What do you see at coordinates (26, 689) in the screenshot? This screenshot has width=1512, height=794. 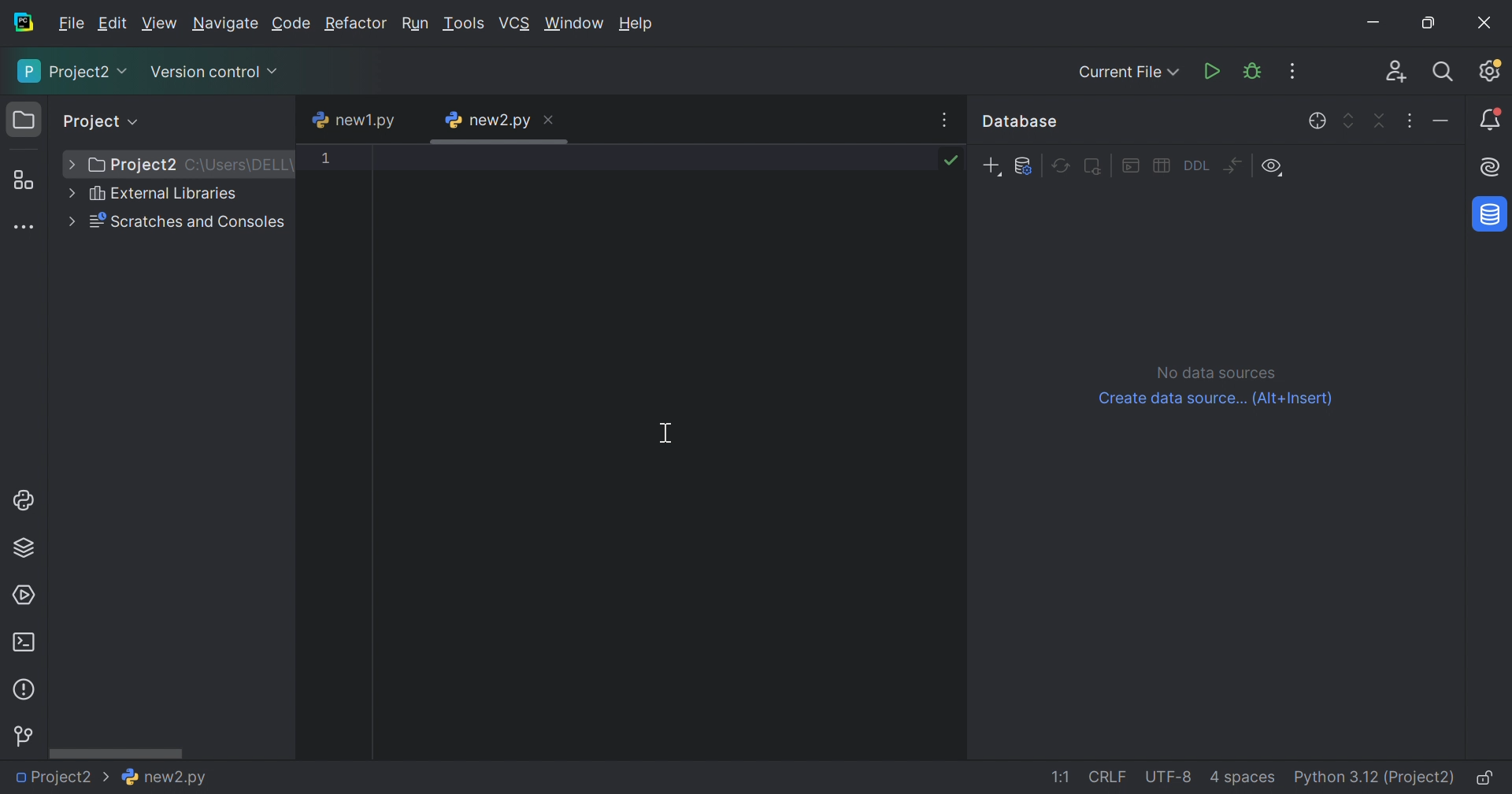 I see `Problems` at bounding box center [26, 689].